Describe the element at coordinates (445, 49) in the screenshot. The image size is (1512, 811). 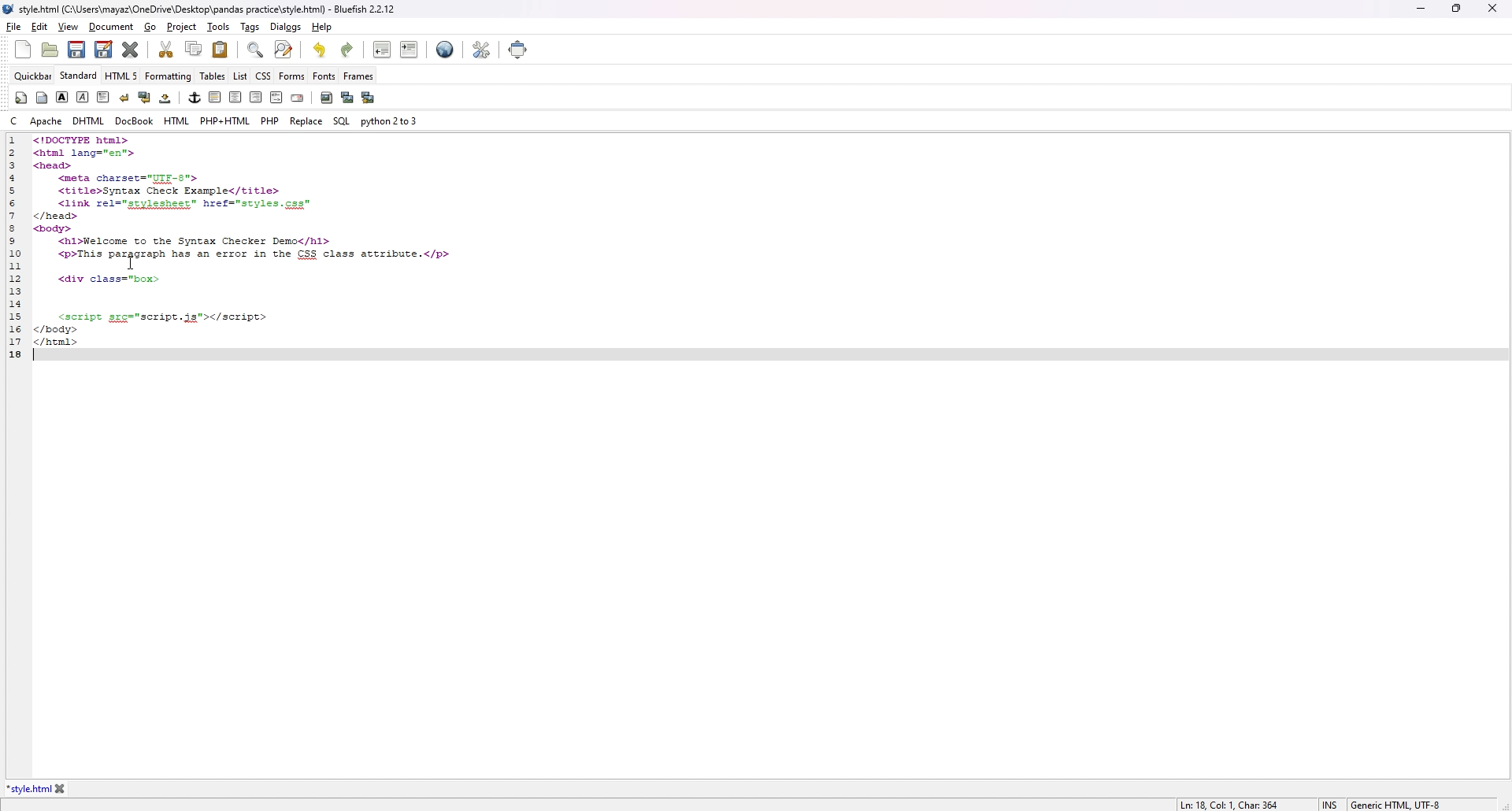
I see `web preview` at that location.